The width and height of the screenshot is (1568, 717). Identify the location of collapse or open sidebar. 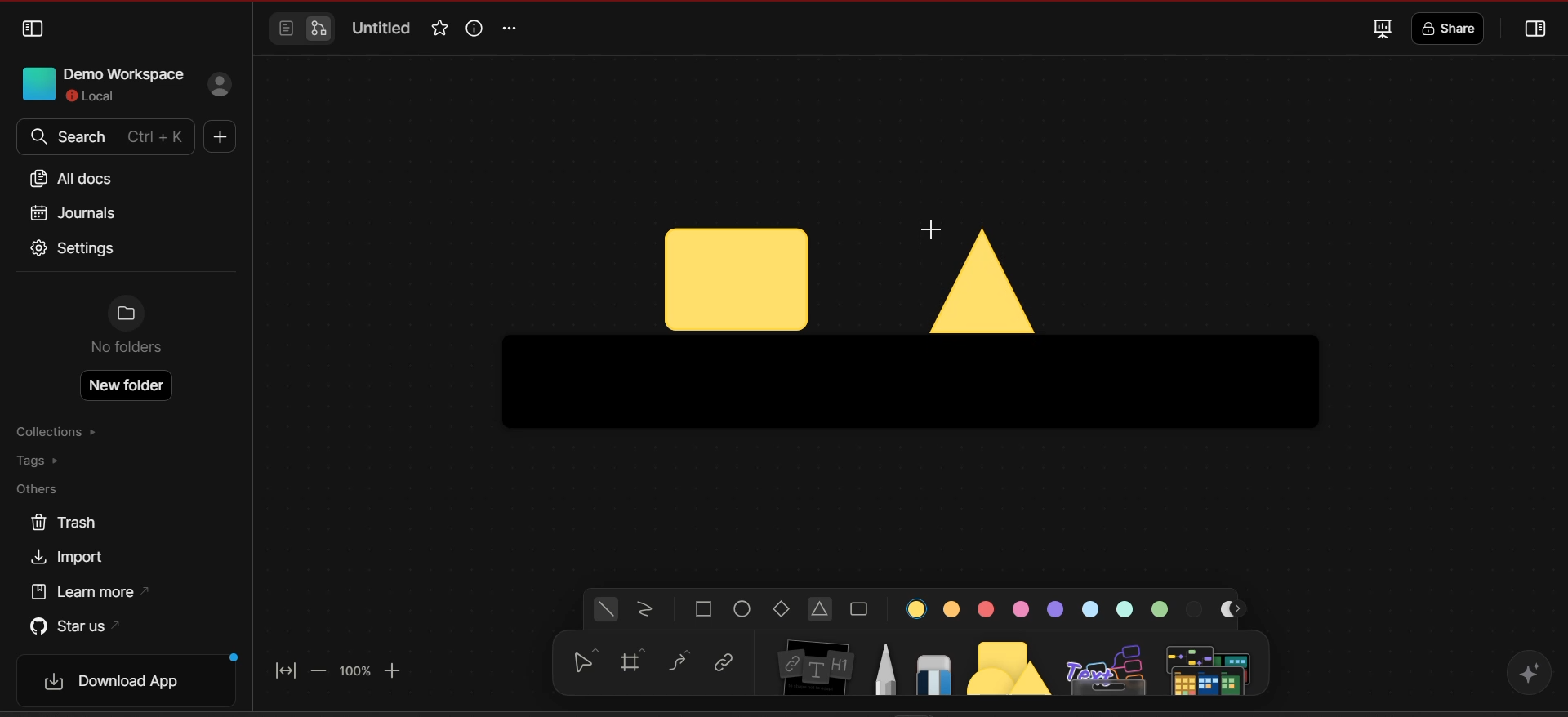
(1537, 30).